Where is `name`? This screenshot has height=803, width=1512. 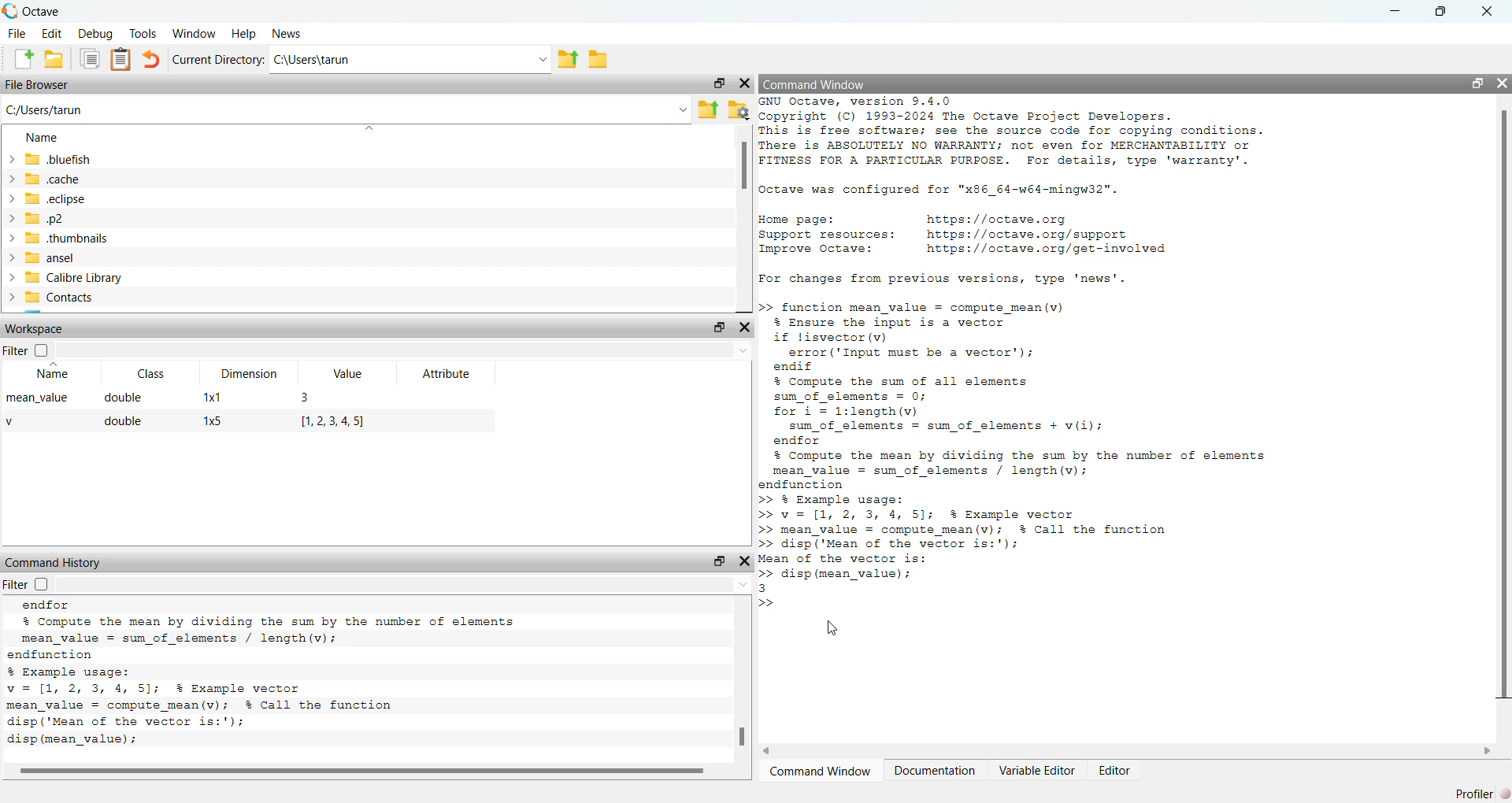
name is located at coordinates (44, 139).